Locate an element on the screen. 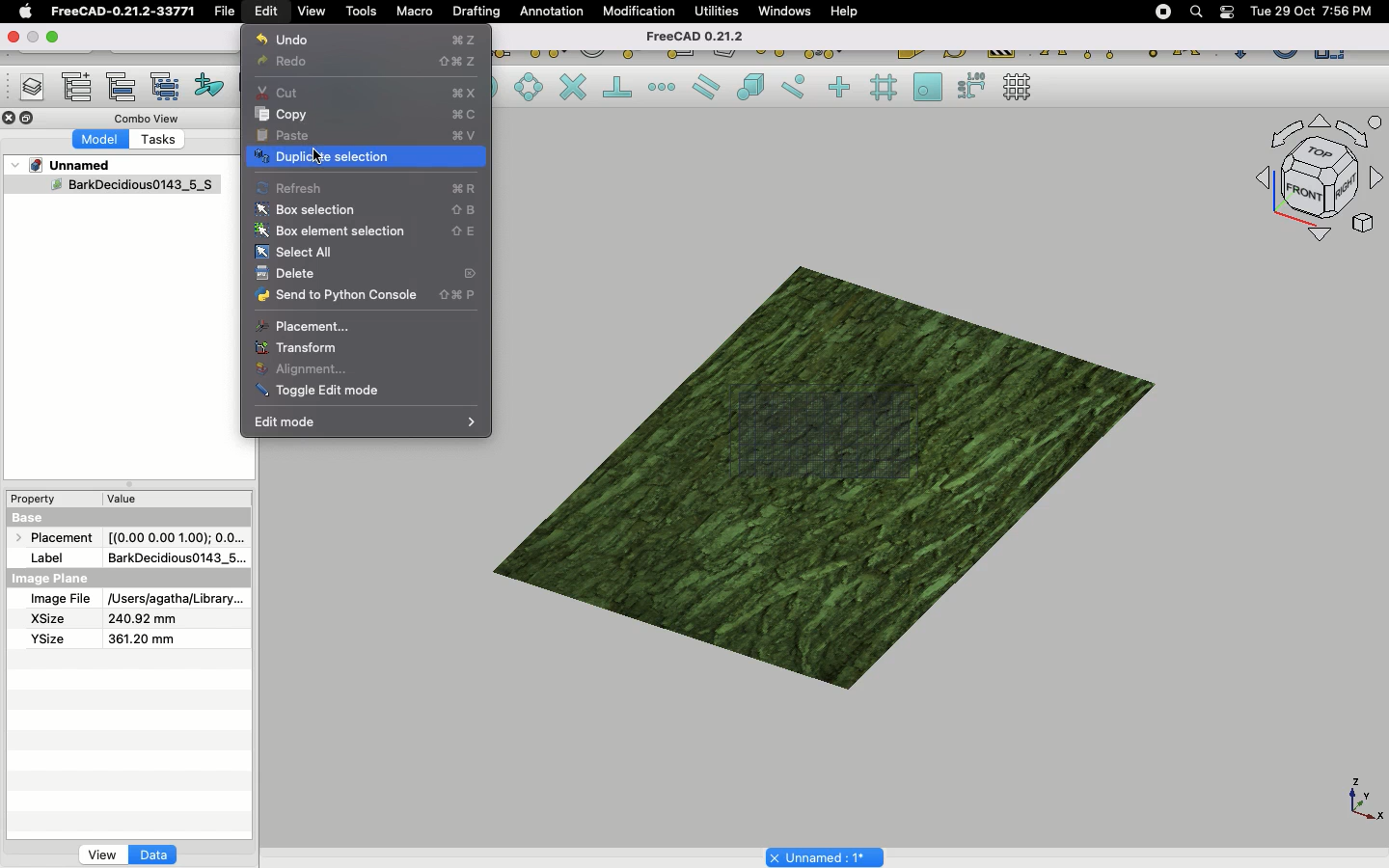 The height and width of the screenshot is (868, 1389). Select all is located at coordinates (294, 253).